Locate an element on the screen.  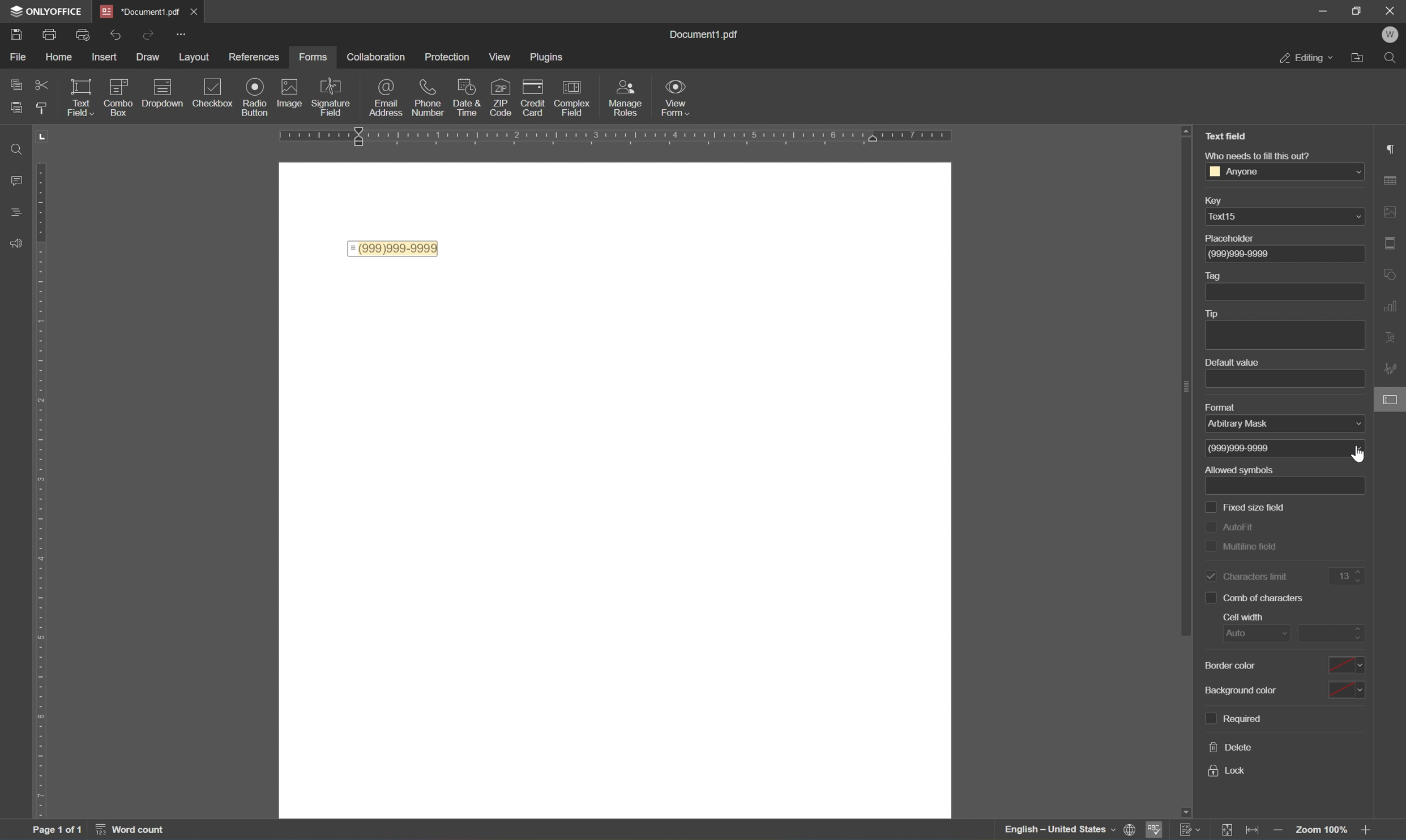
phone number format is located at coordinates (1243, 448).